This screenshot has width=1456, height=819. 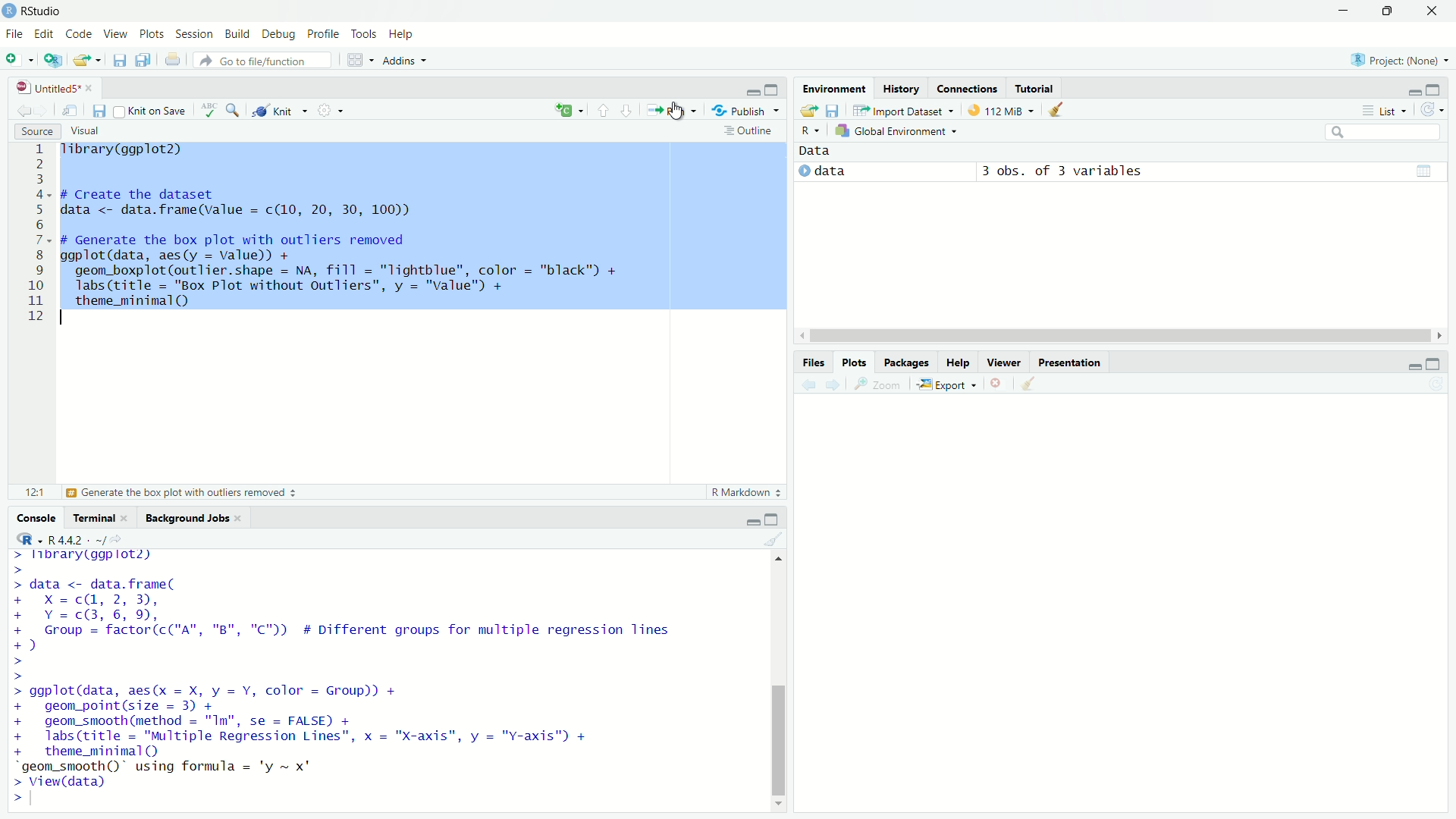 What do you see at coordinates (1385, 110) in the screenshot?
I see `© List` at bounding box center [1385, 110].